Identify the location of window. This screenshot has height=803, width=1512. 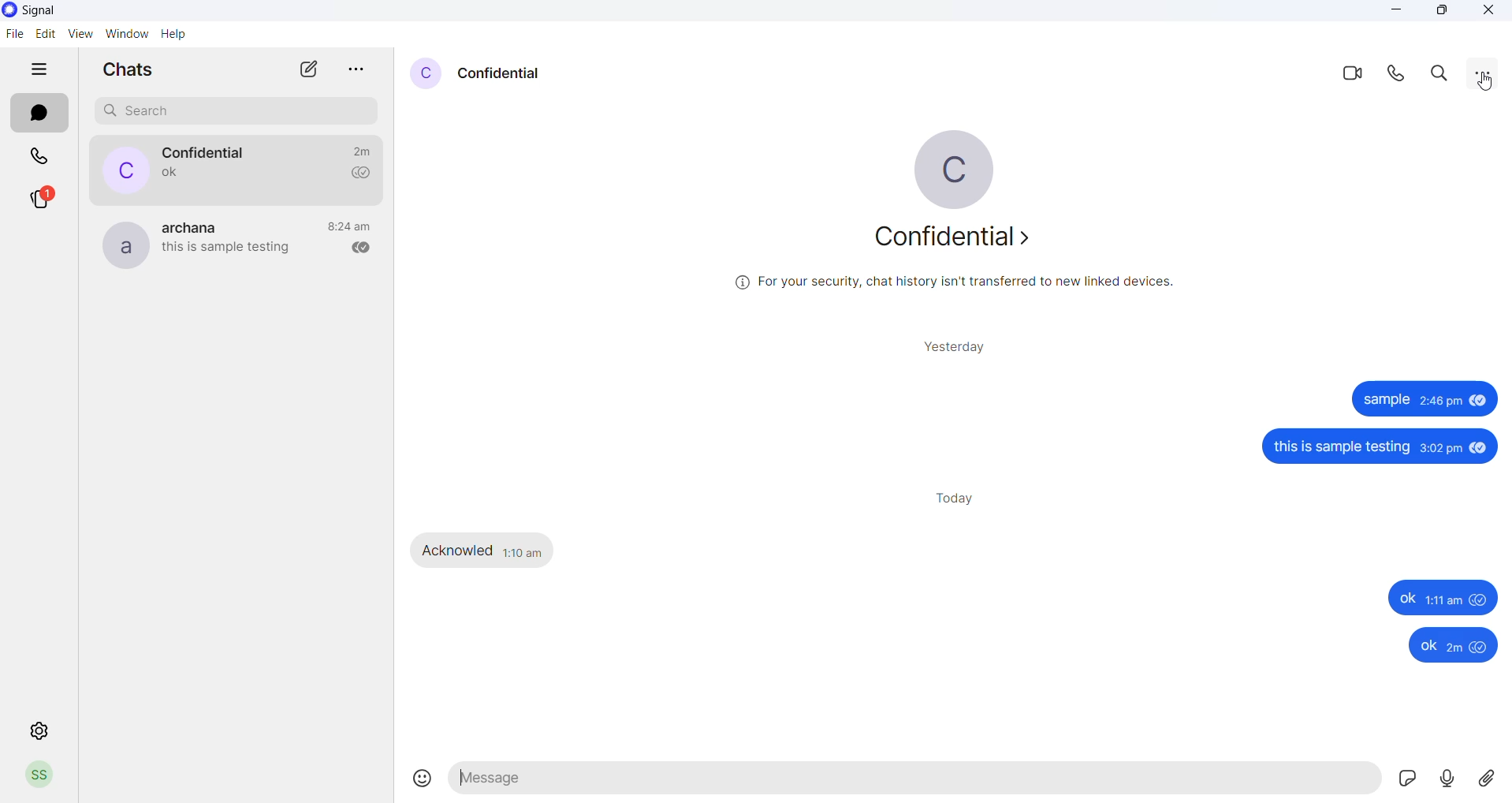
(126, 33).